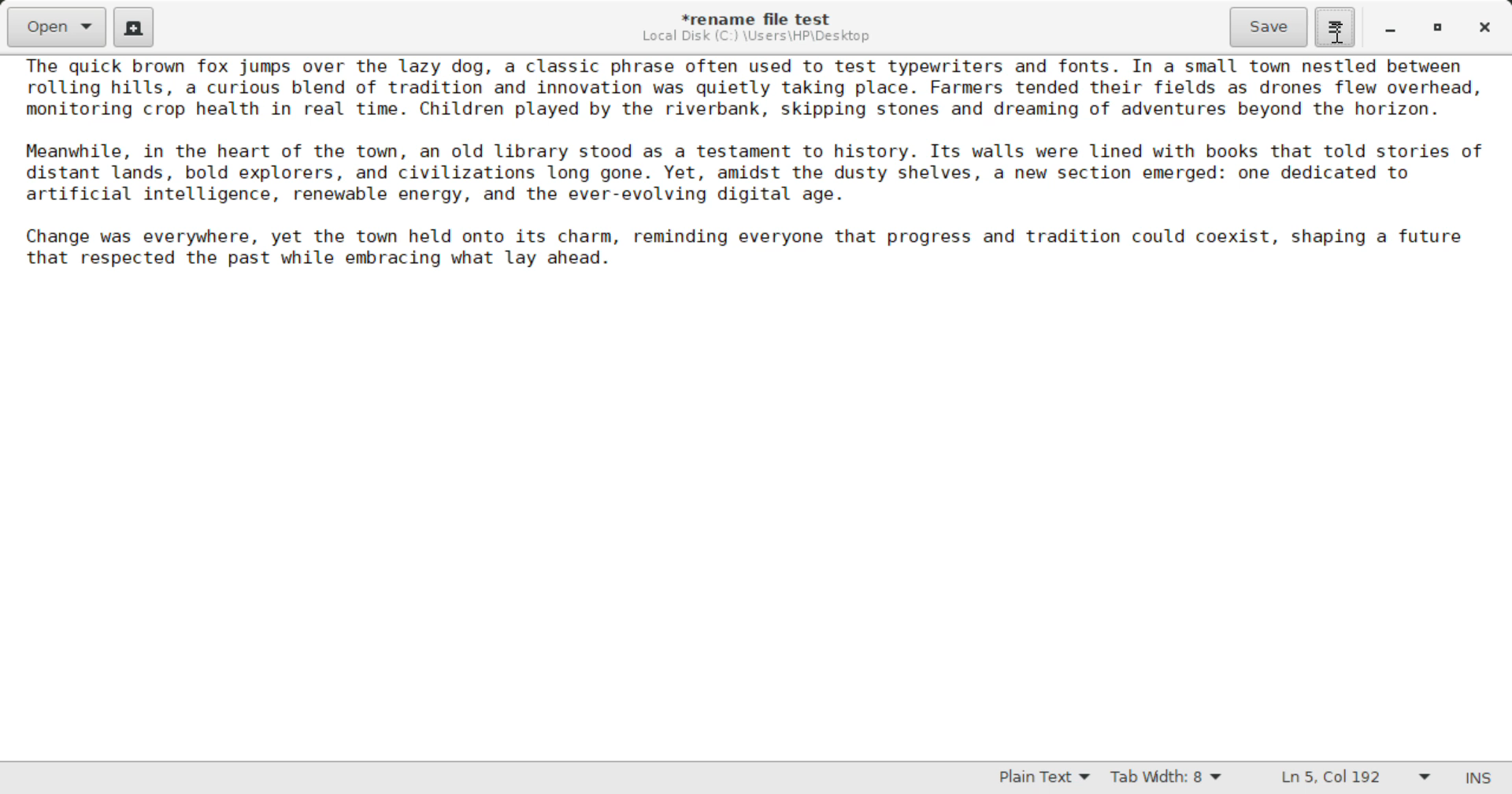 The width and height of the screenshot is (1512, 794). Describe the element at coordinates (1487, 26) in the screenshot. I see `Close Window` at that location.